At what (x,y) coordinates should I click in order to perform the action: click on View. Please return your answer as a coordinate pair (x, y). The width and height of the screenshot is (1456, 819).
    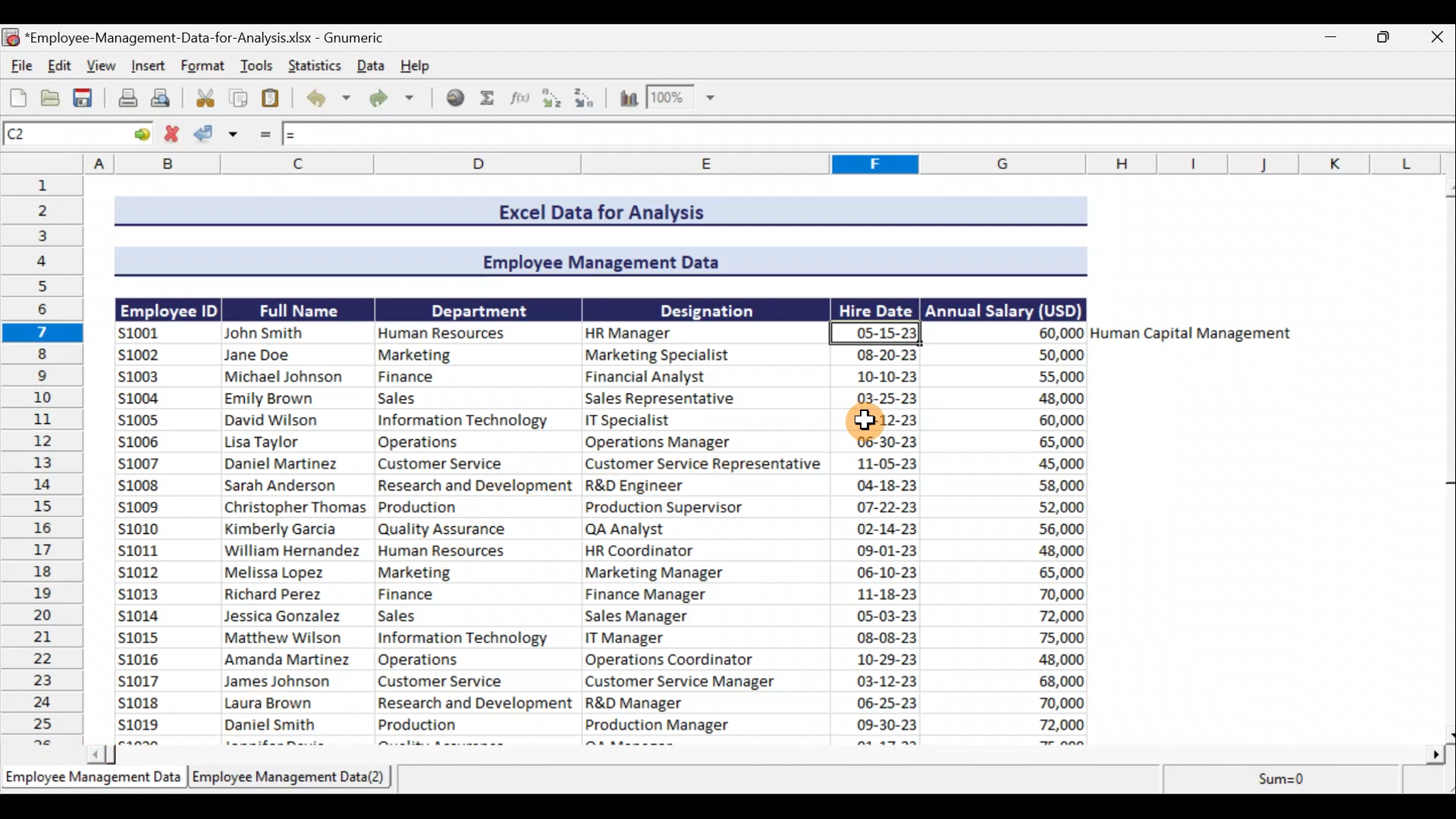
    Looking at the image, I should click on (104, 67).